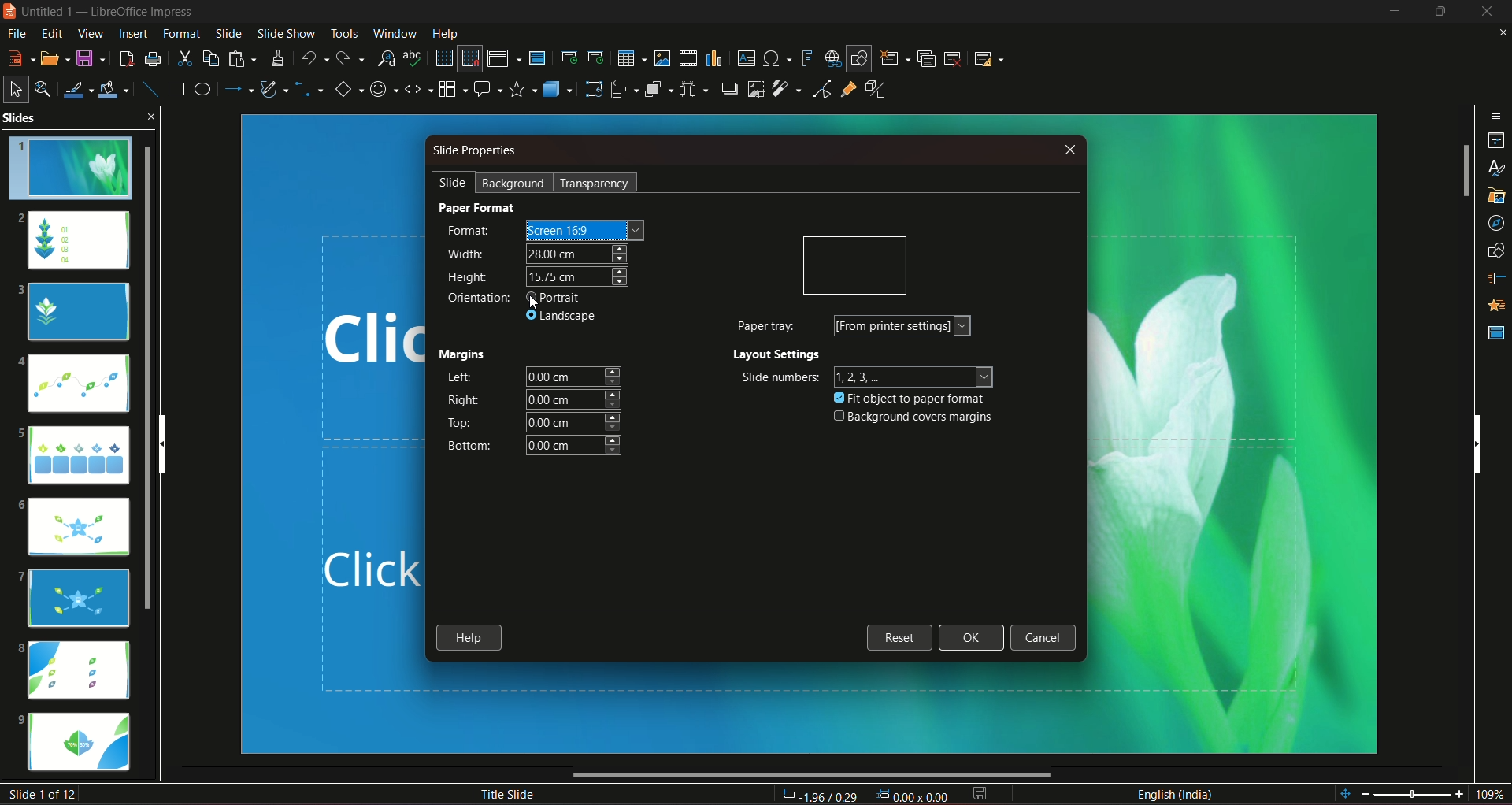 Image resolution: width=1512 pixels, height=805 pixels. Describe the element at coordinates (595, 183) in the screenshot. I see `transparency` at that location.